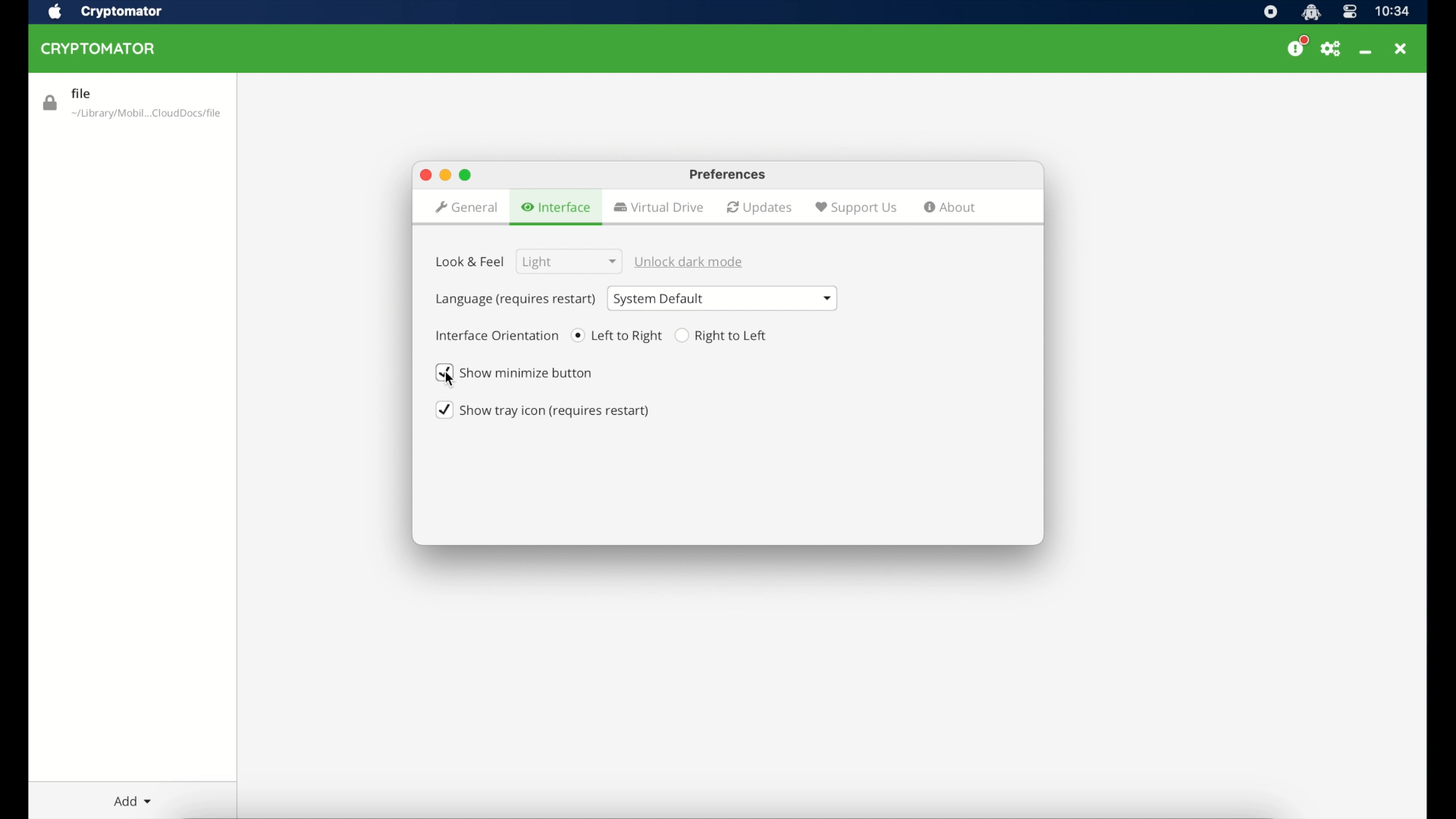 This screenshot has height=819, width=1456. I want to click on control center, so click(1348, 12).